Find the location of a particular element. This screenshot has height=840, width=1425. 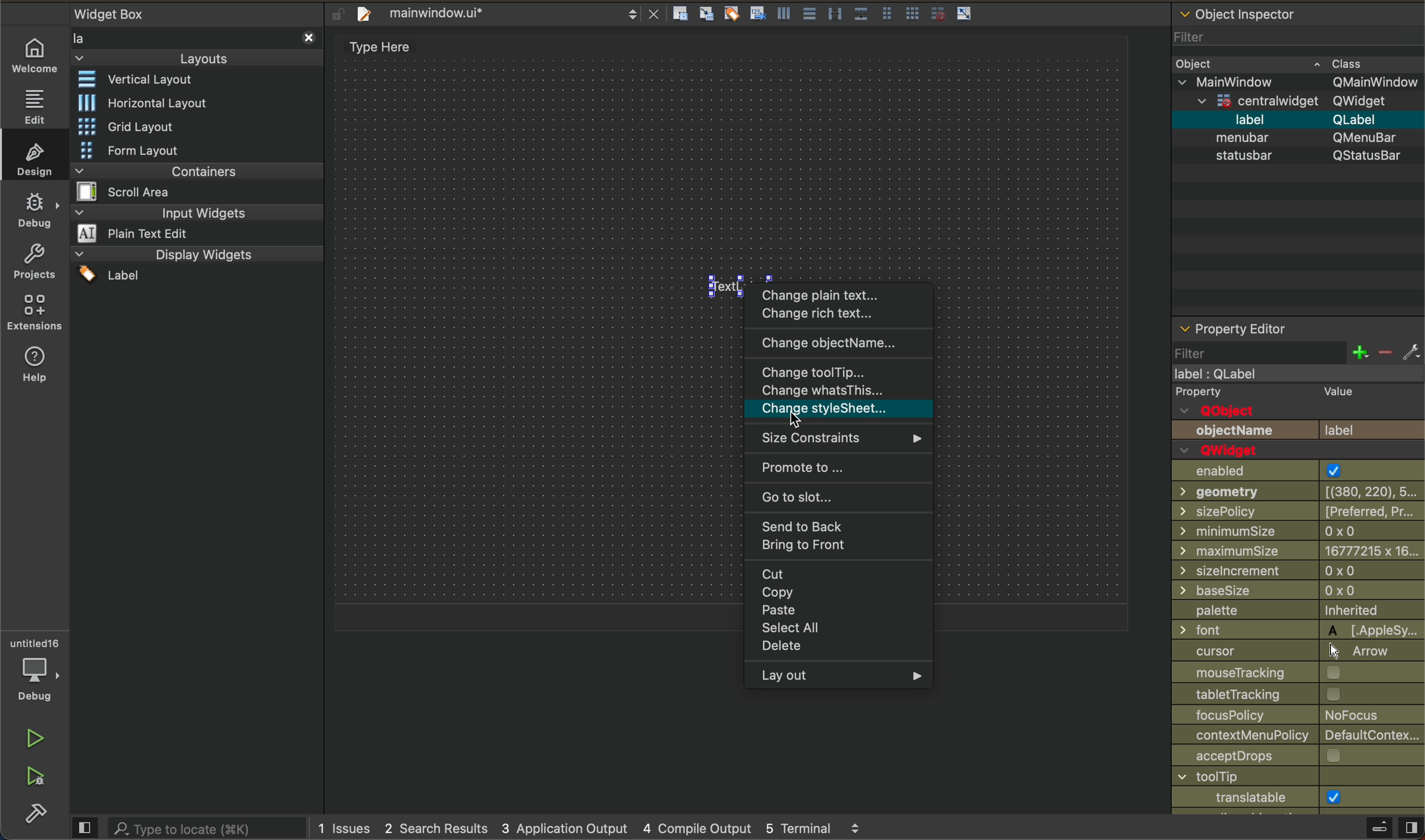

statsubar is located at coordinates (1296, 156).